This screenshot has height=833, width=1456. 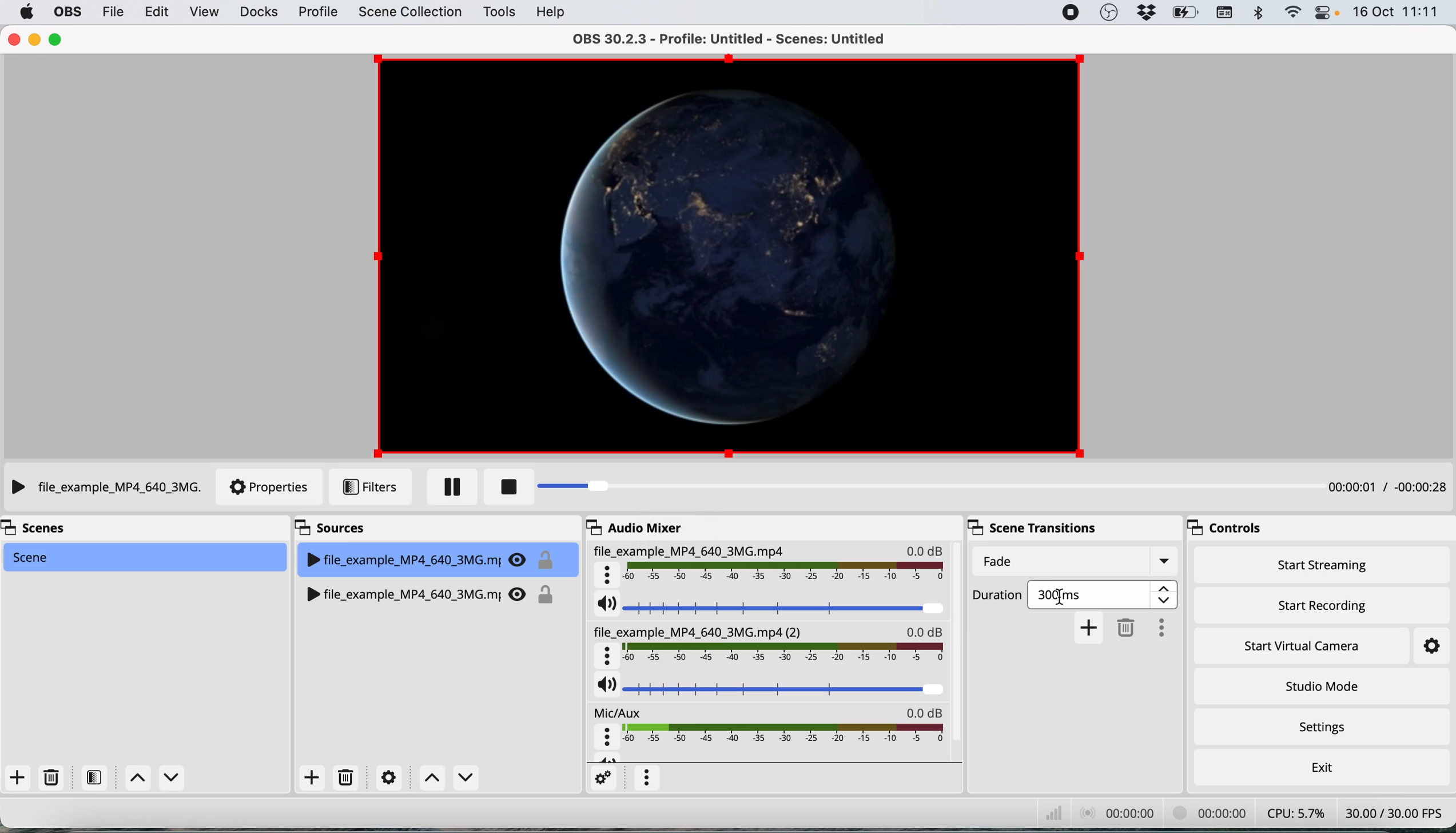 I want to click on timestamp, so click(x=1386, y=489).